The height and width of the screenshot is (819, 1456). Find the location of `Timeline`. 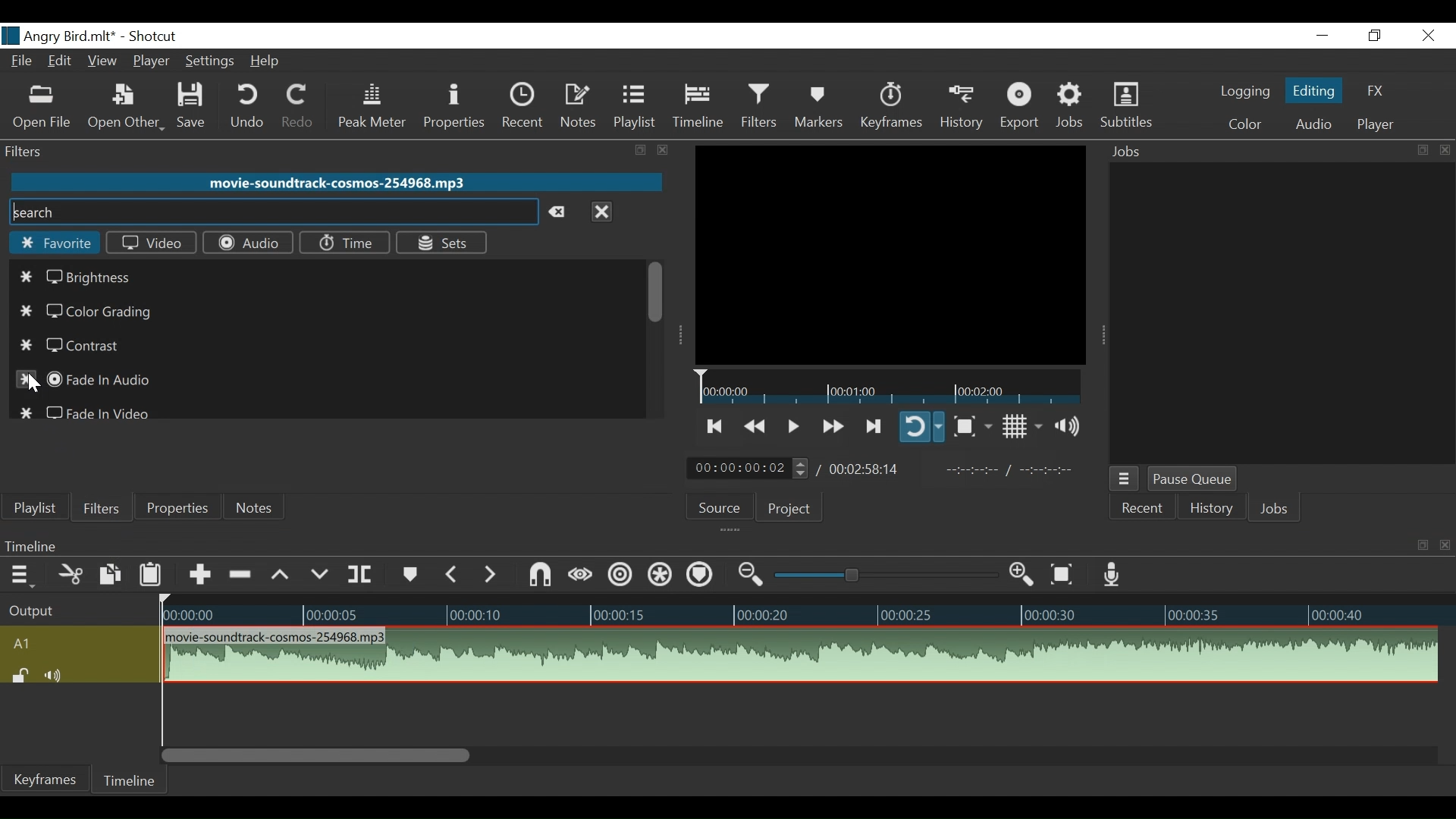

Timeline is located at coordinates (128, 780).